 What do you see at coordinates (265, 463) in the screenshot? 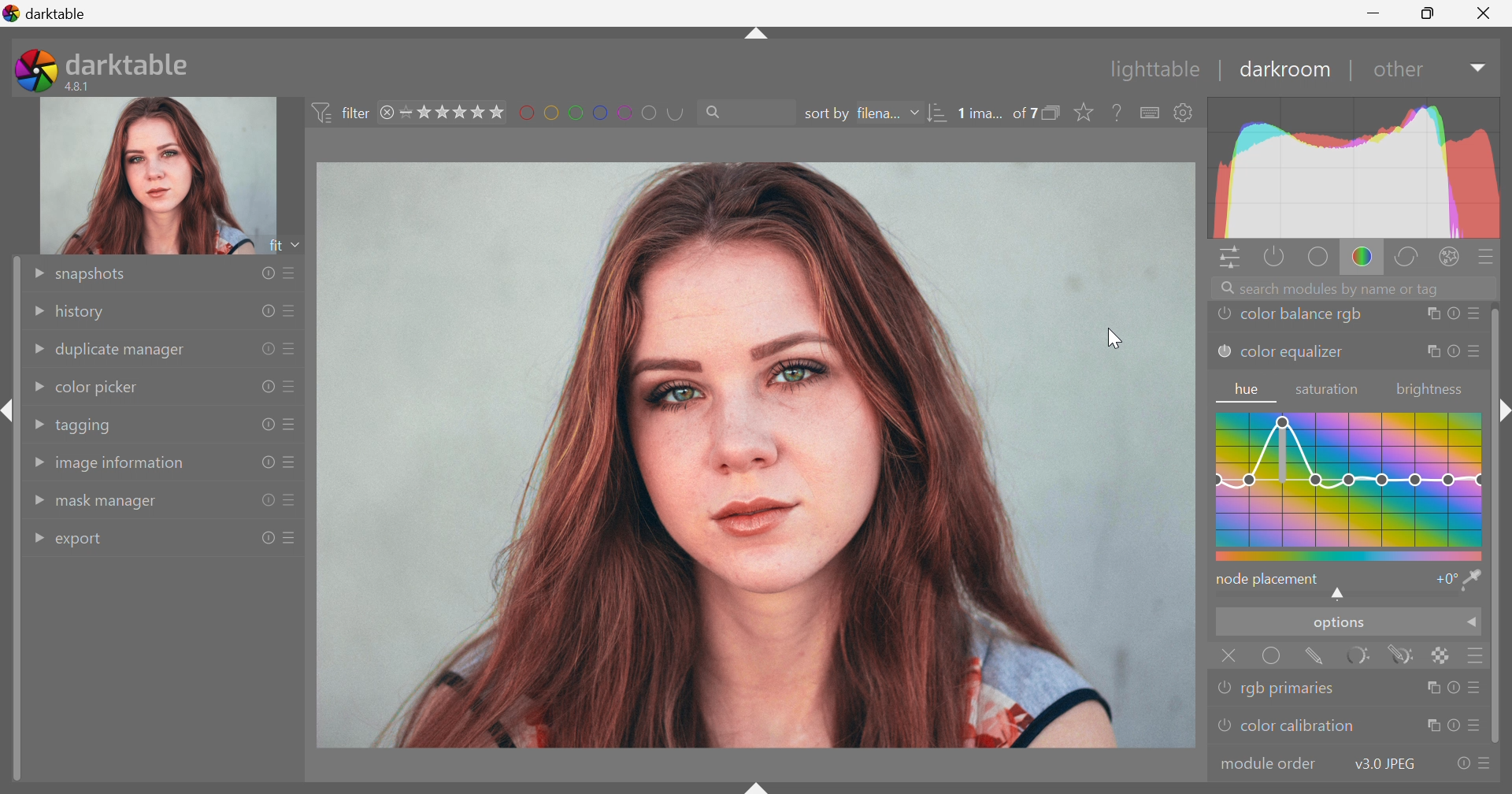
I see `reset` at bounding box center [265, 463].